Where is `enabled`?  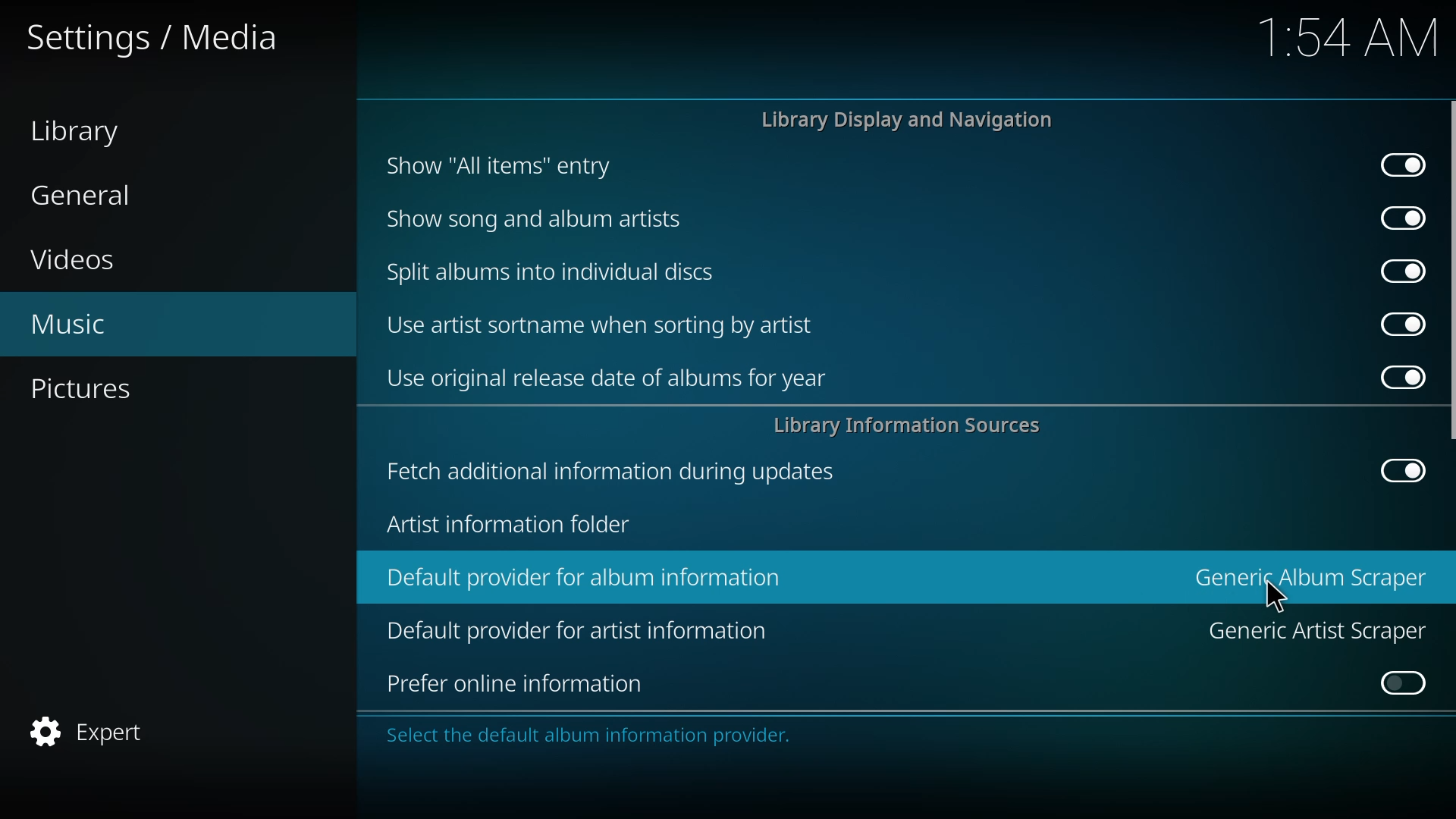 enabled is located at coordinates (1397, 469).